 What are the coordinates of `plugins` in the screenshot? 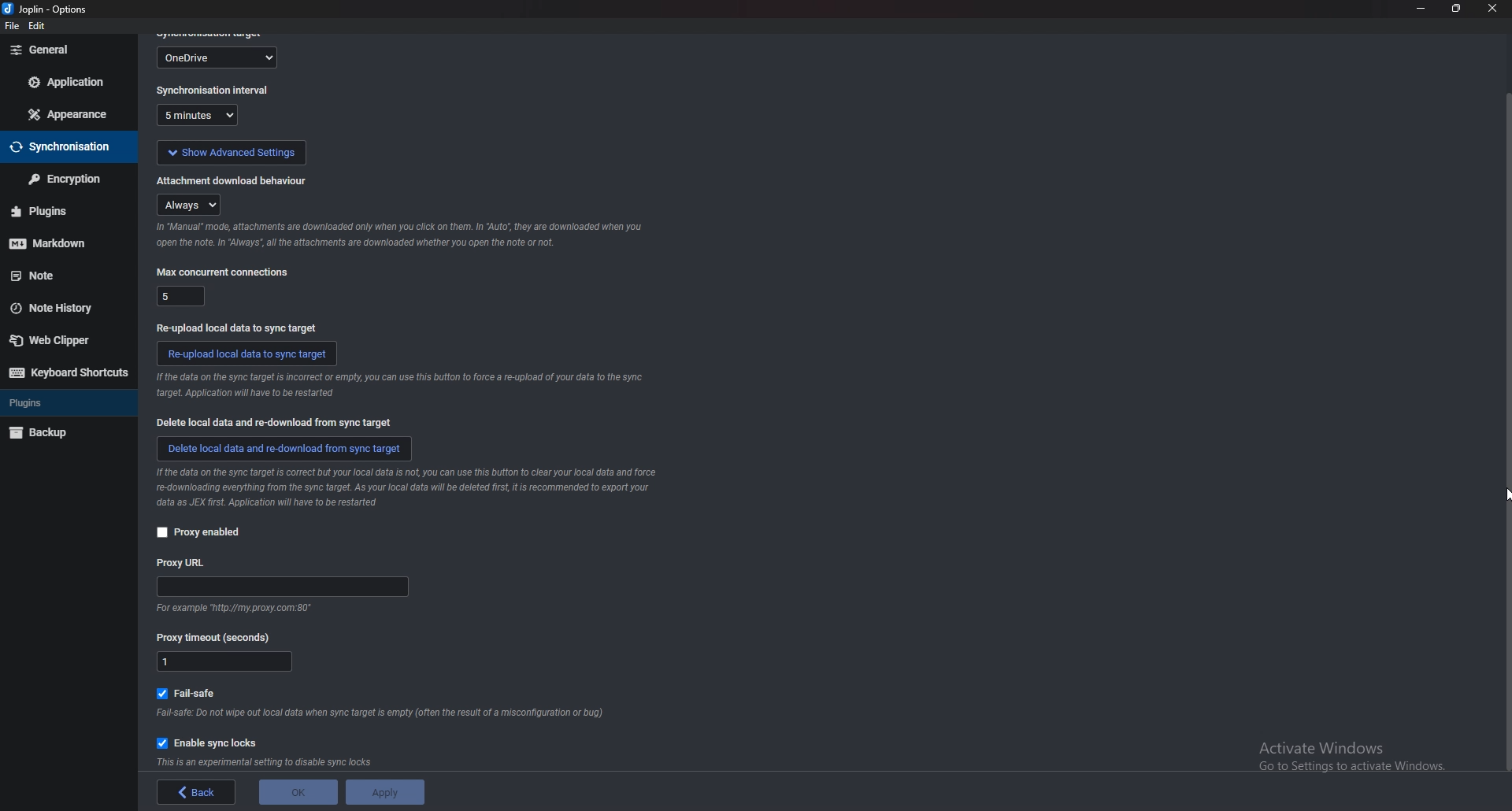 It's located at (56, 211).